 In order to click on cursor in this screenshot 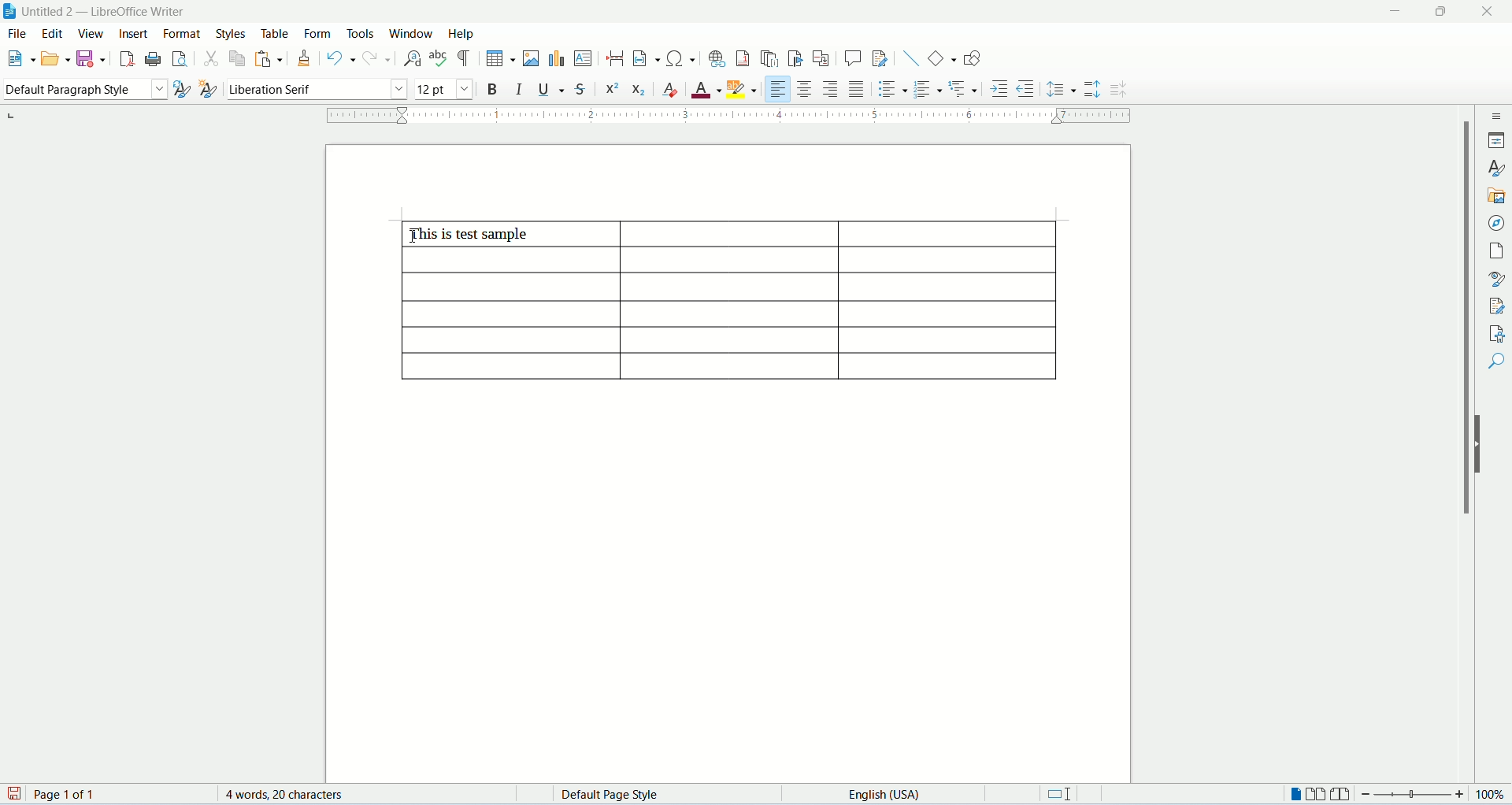, I will do `click(413, 232)`.